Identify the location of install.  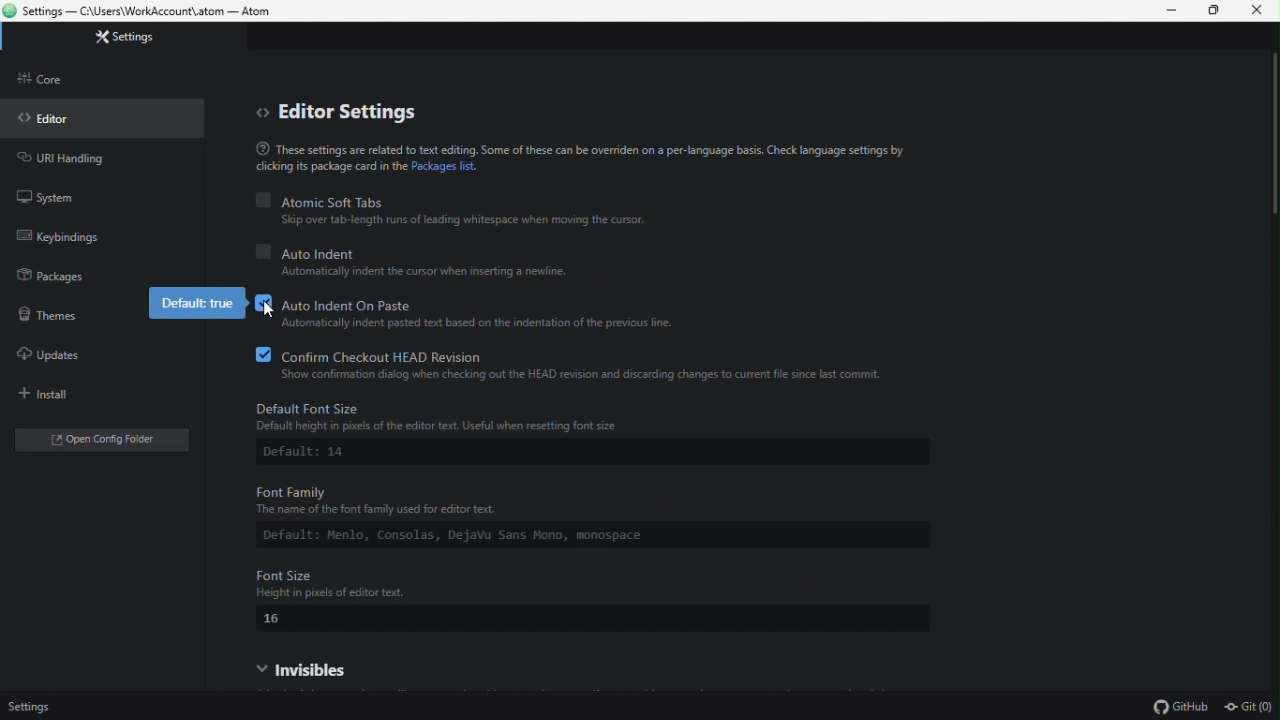
(61, 395).